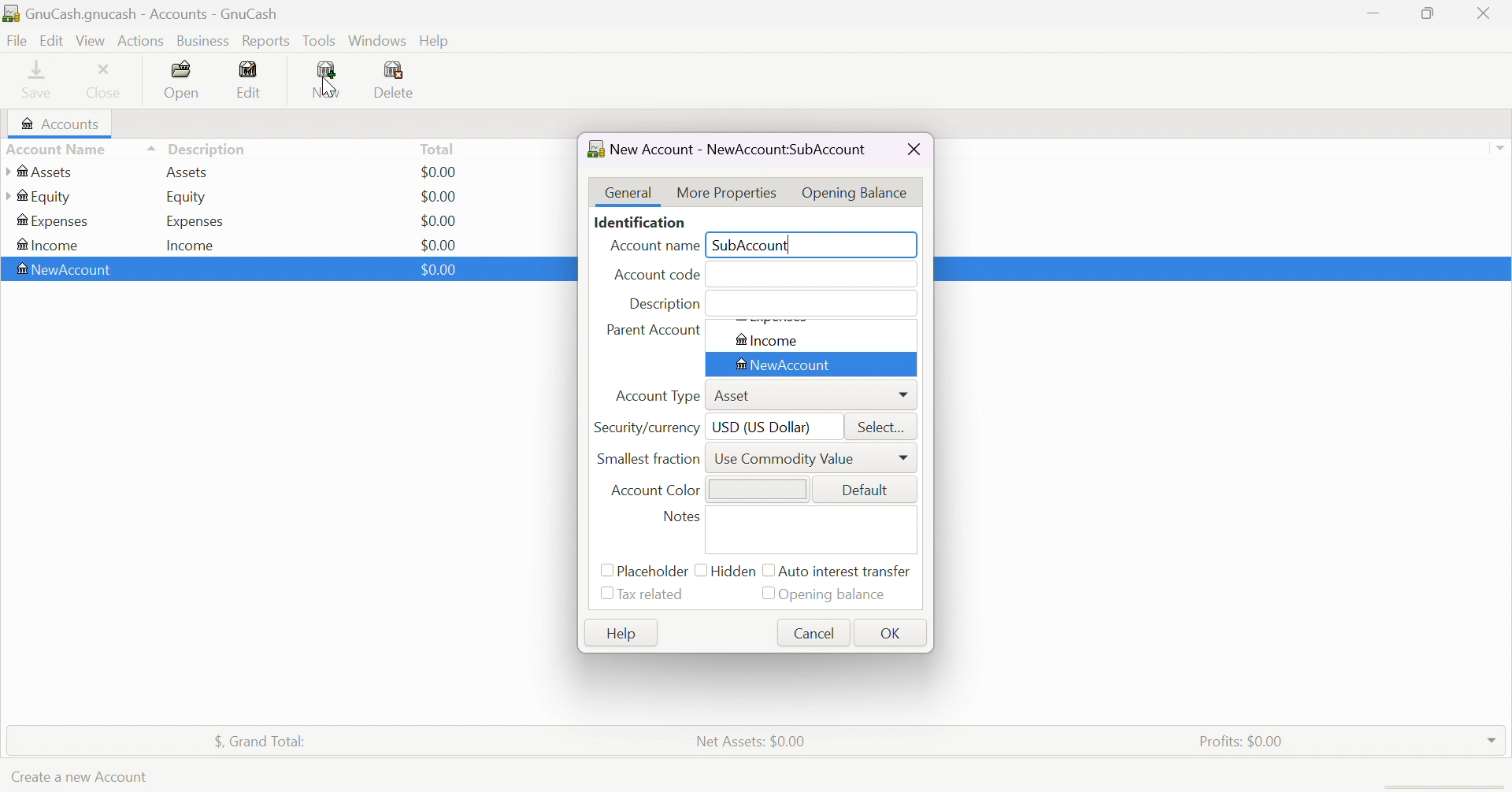 The image size is (1512, 792). What do you see at coordinates (188, 195) in the screenshot?
I see `Equity` at bounding box center [188, 195].